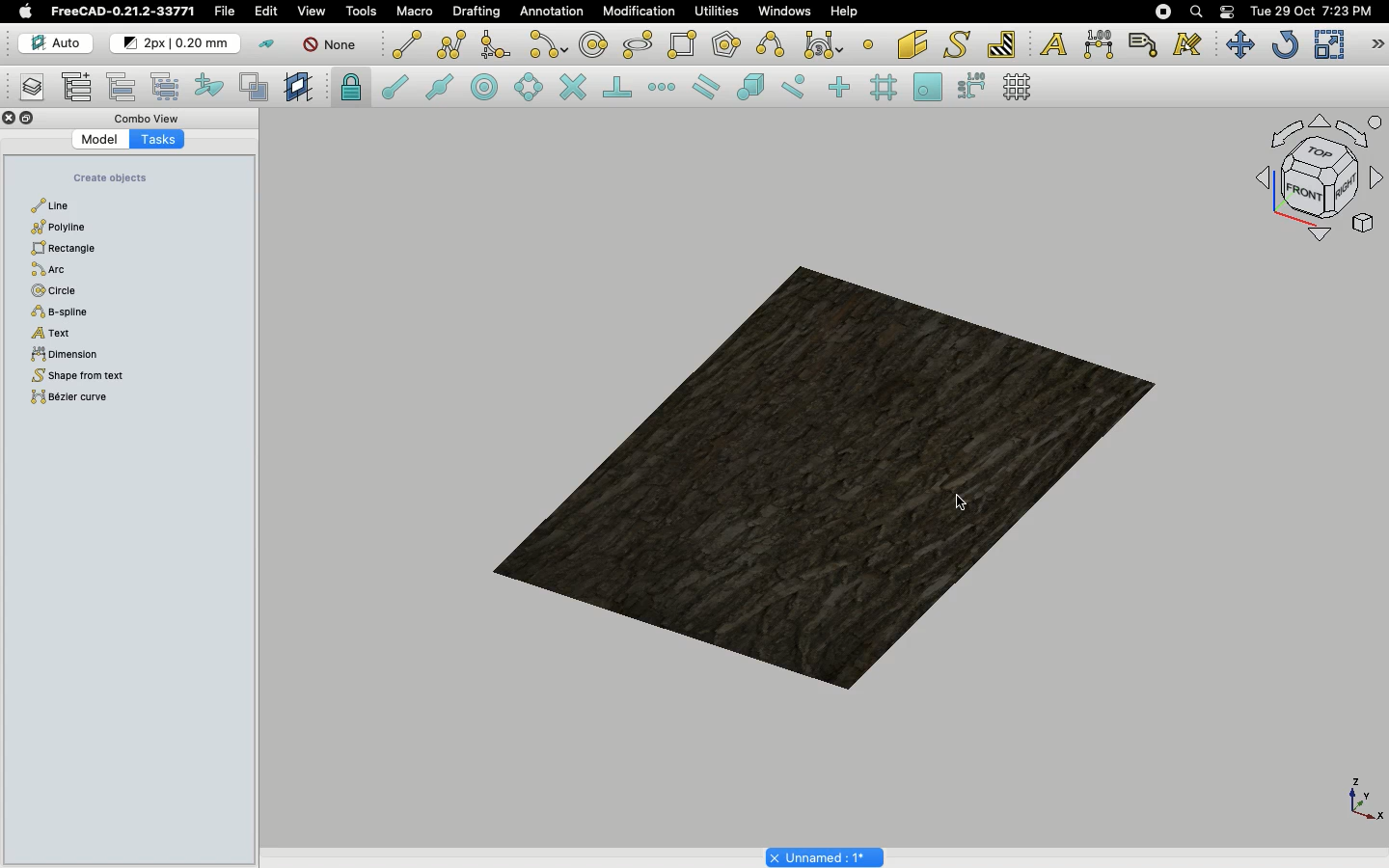 The height and width of the screenshot is (868, 1389). Describe the element at coordinates (177, 43) in the screenshot. I see `Change default style for new objects` at that location.